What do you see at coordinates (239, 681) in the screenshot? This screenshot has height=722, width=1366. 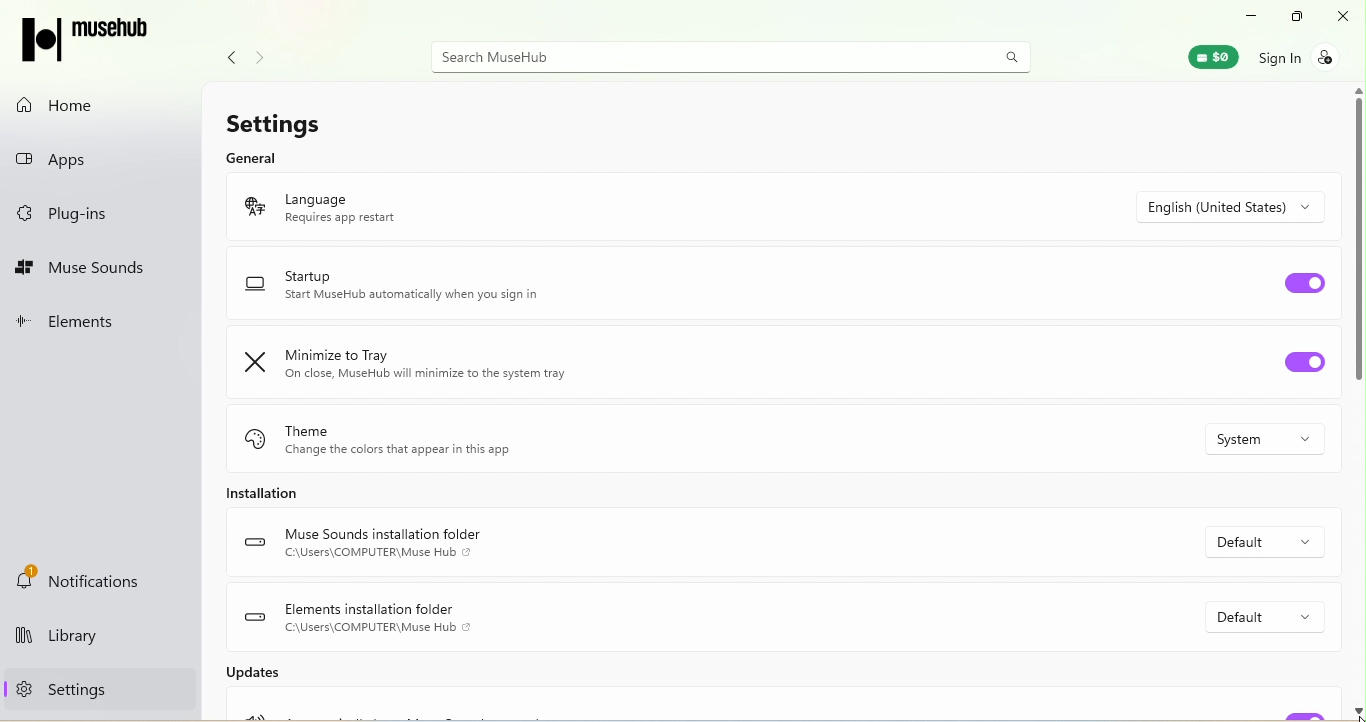 I see `Updates` at bounding box center [239, 681].